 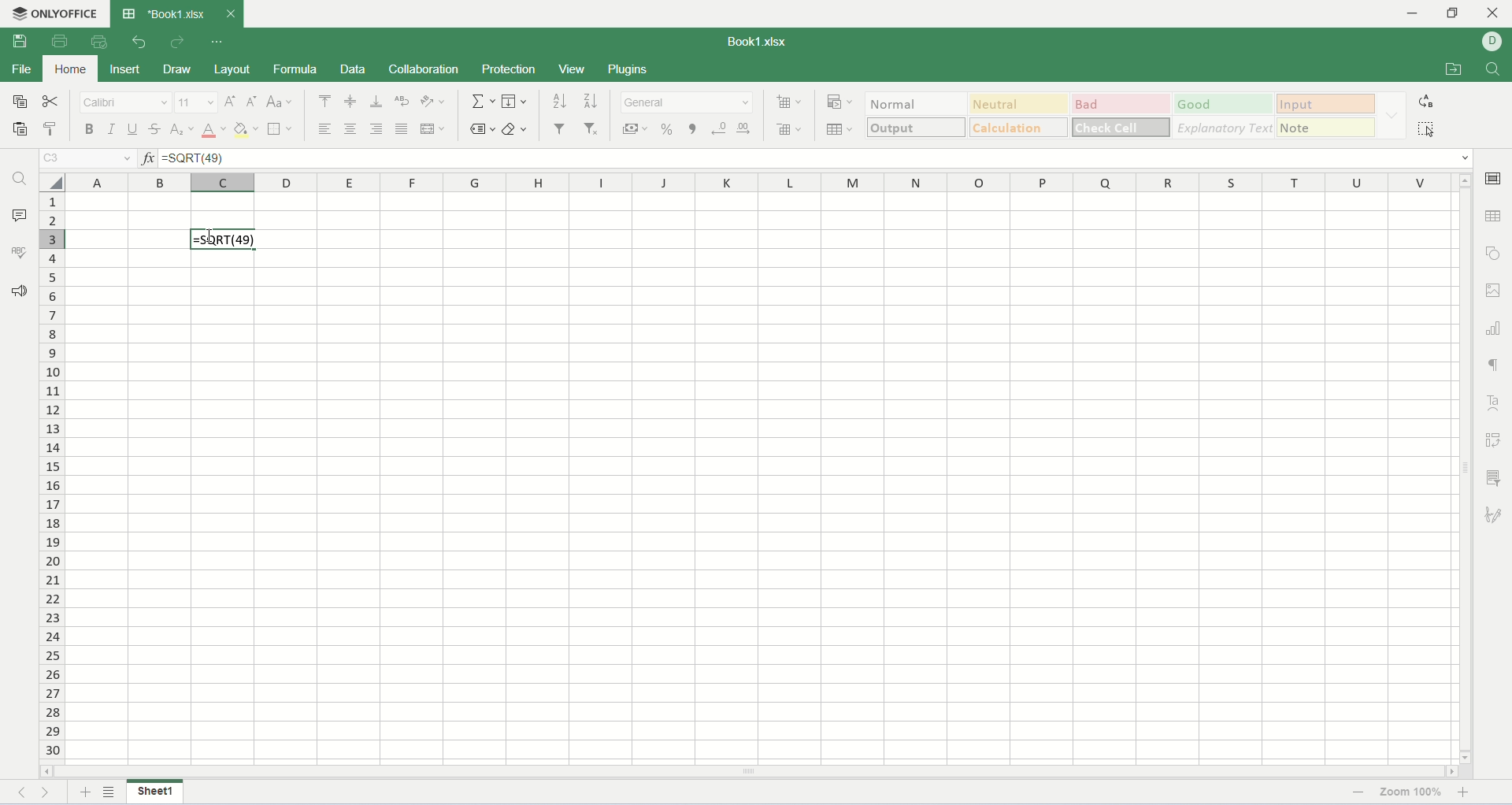 I want to click on neutral, so click(x=1021, y=104).